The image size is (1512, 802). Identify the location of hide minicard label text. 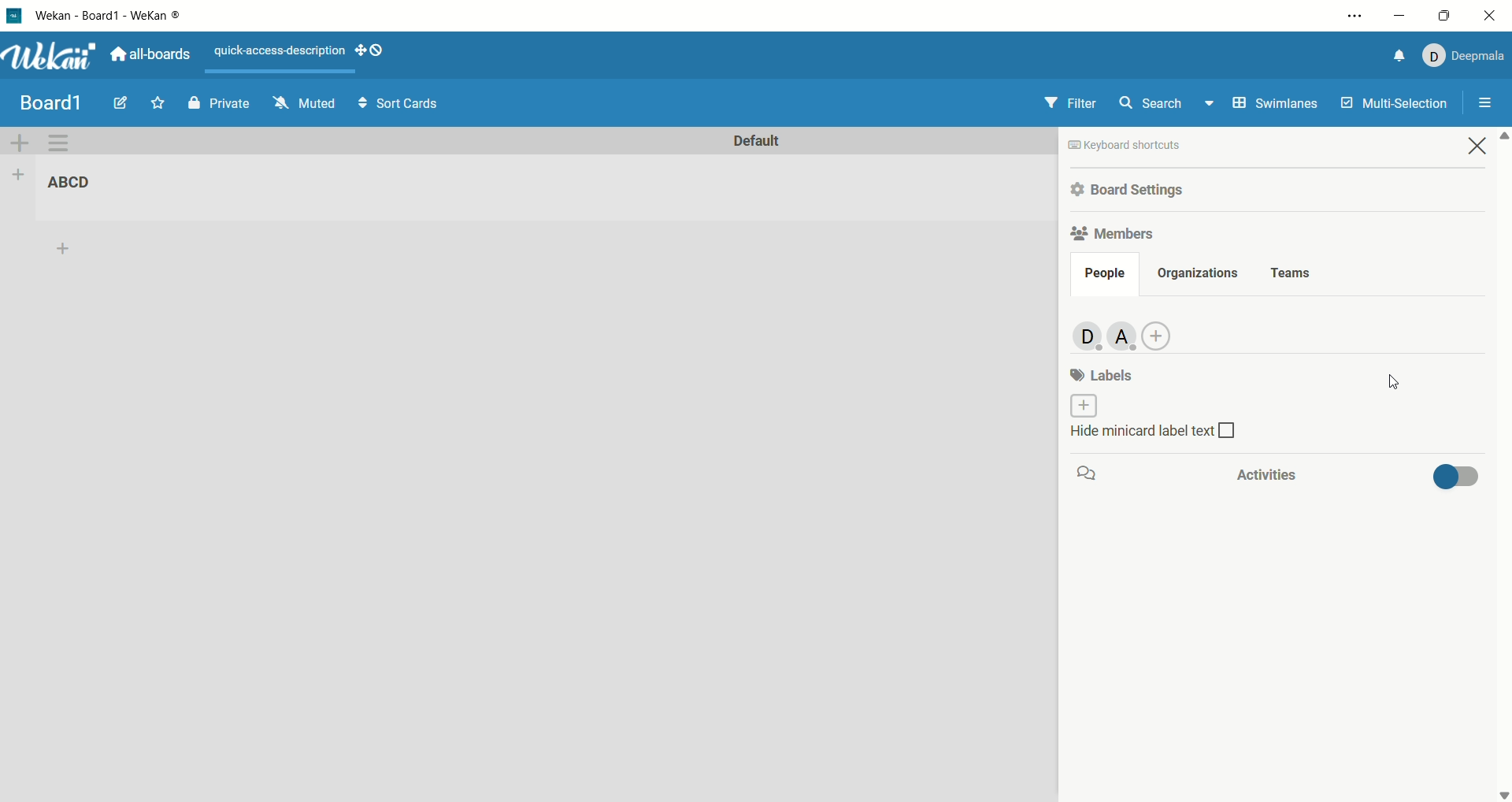
(1151, 429).